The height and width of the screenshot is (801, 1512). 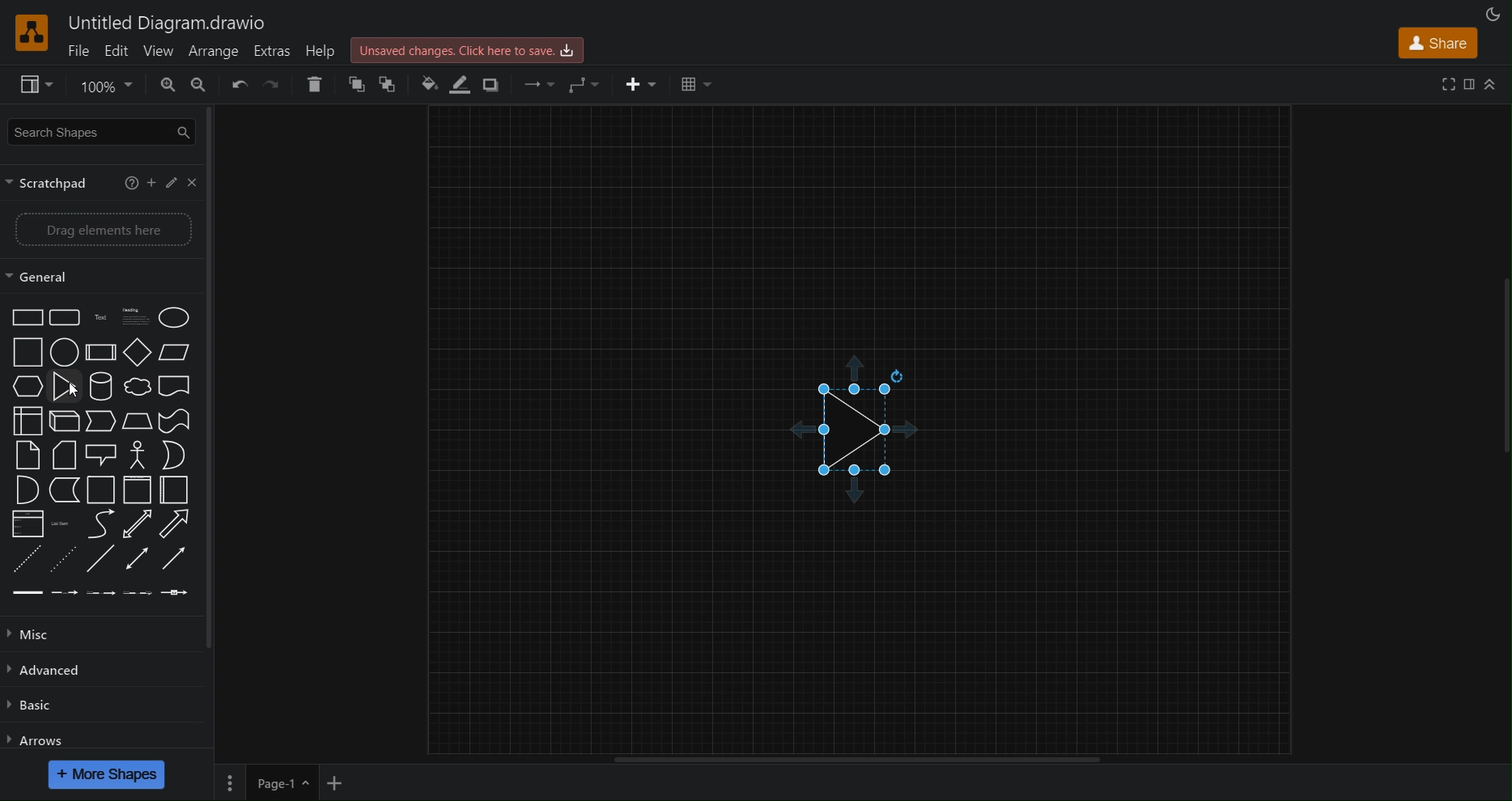 What do you see at coordinates (100, 455) in the screenshot?
I see `Shapes Menu` at bounding box center [100, 455].